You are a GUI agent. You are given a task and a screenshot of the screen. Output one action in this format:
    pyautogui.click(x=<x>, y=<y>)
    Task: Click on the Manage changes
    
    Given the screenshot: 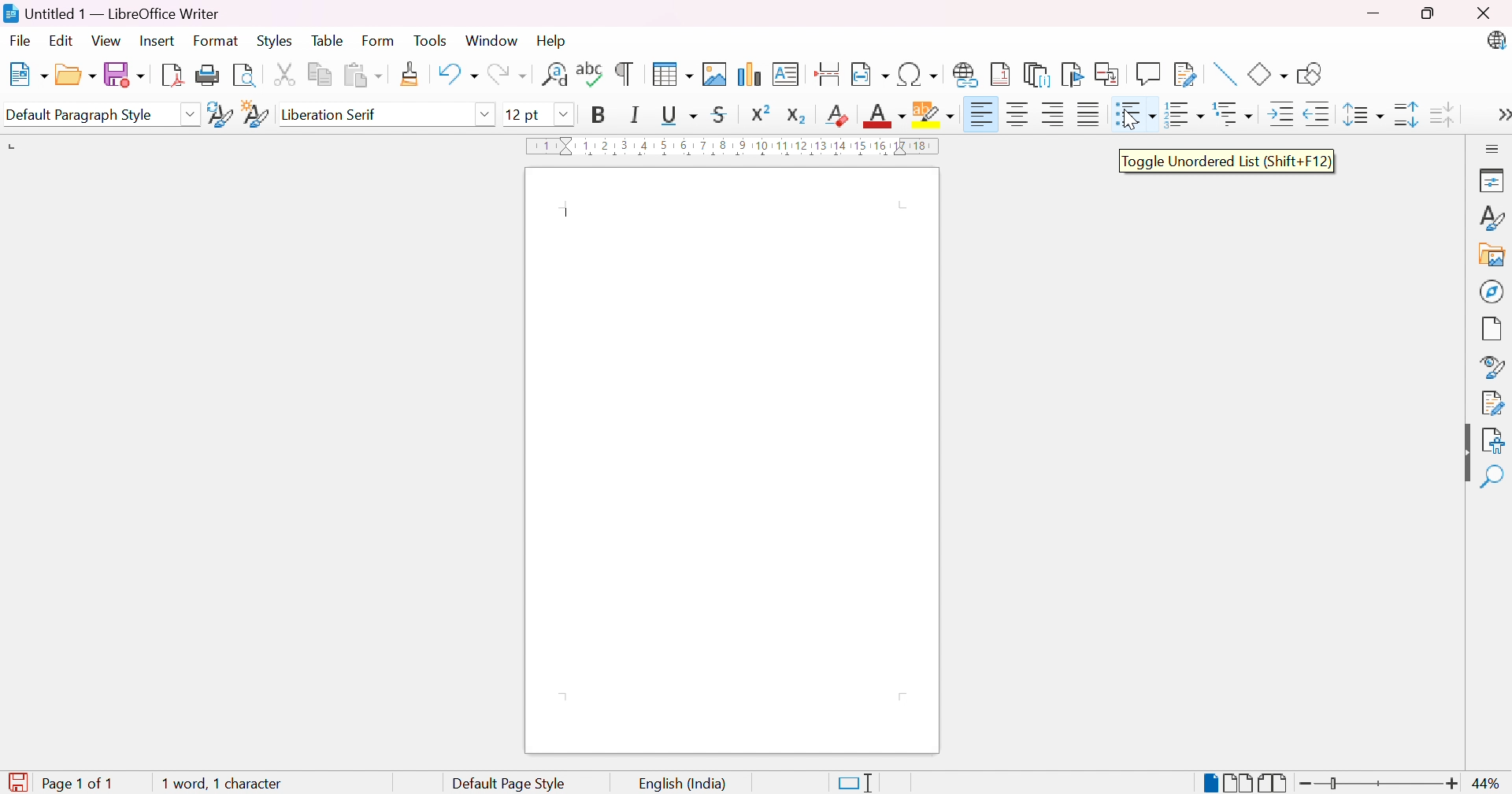 What is the action you would take?
    pyautogui.click(x=1496, y=404)
    